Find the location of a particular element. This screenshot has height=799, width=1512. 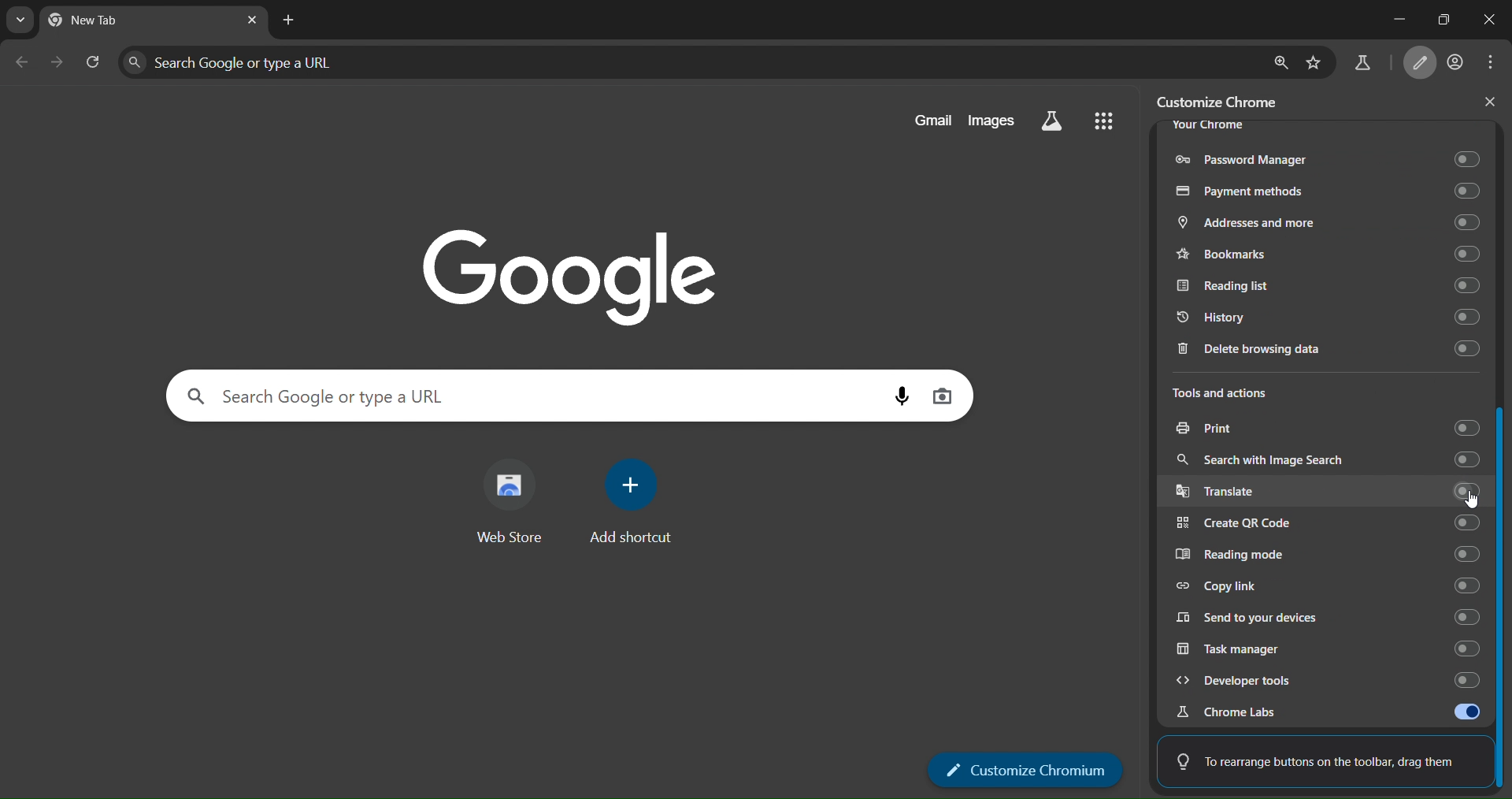

menu is located at coordinates (1492, 63).